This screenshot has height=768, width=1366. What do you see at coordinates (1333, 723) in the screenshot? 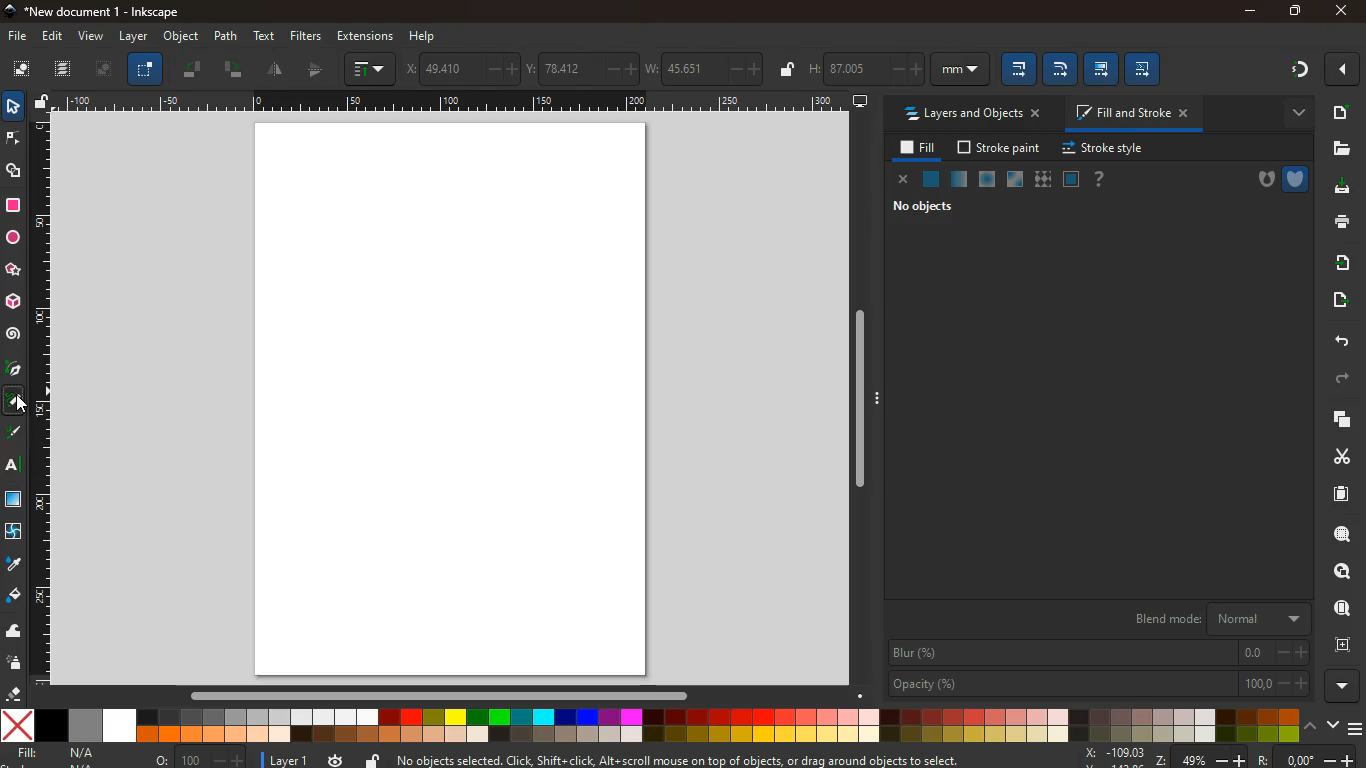
I see `down` at bounding box center [1333, 723].